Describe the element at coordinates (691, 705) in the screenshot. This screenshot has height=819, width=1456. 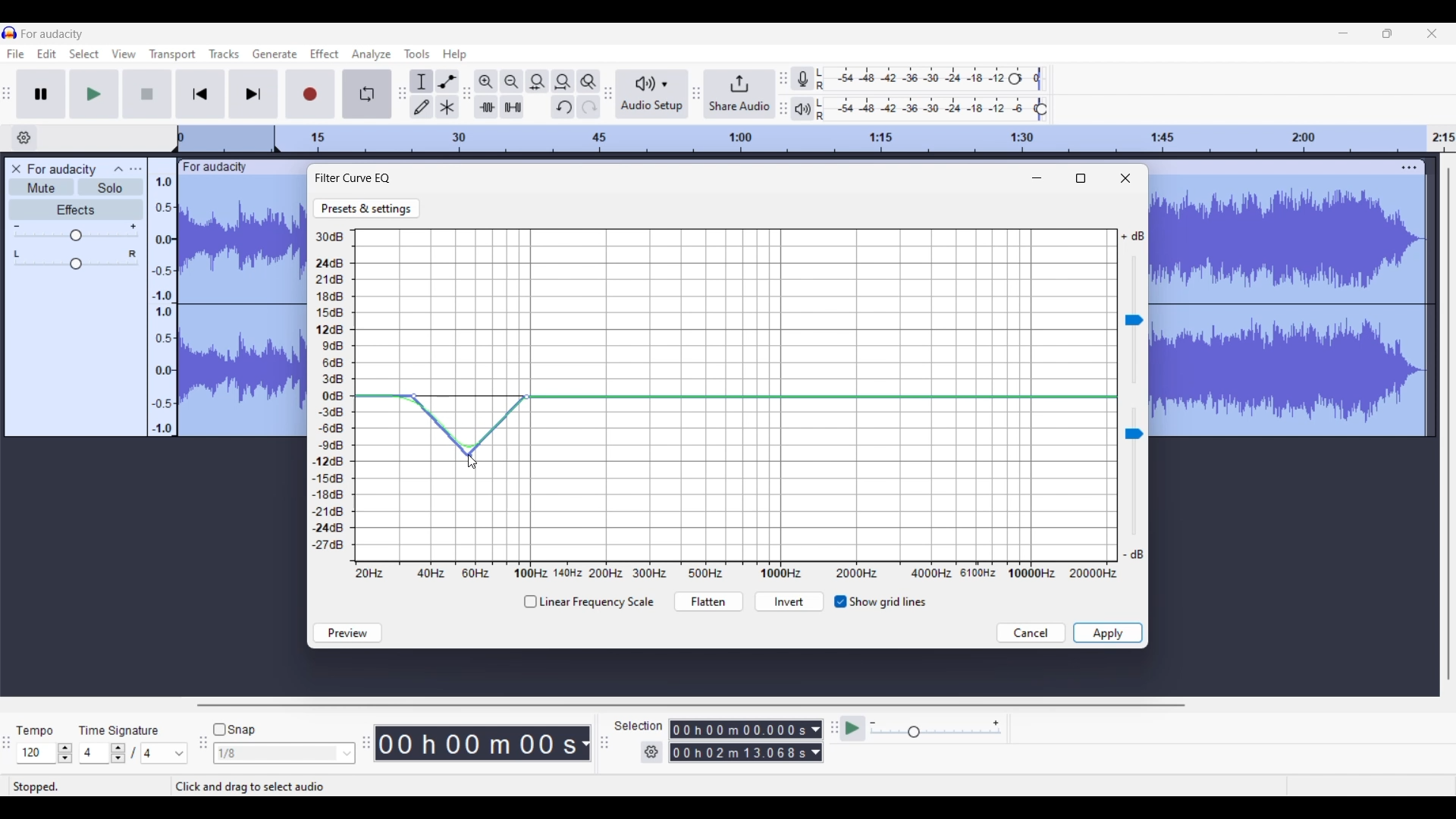
I see `Horizontal slide bar` at that location.